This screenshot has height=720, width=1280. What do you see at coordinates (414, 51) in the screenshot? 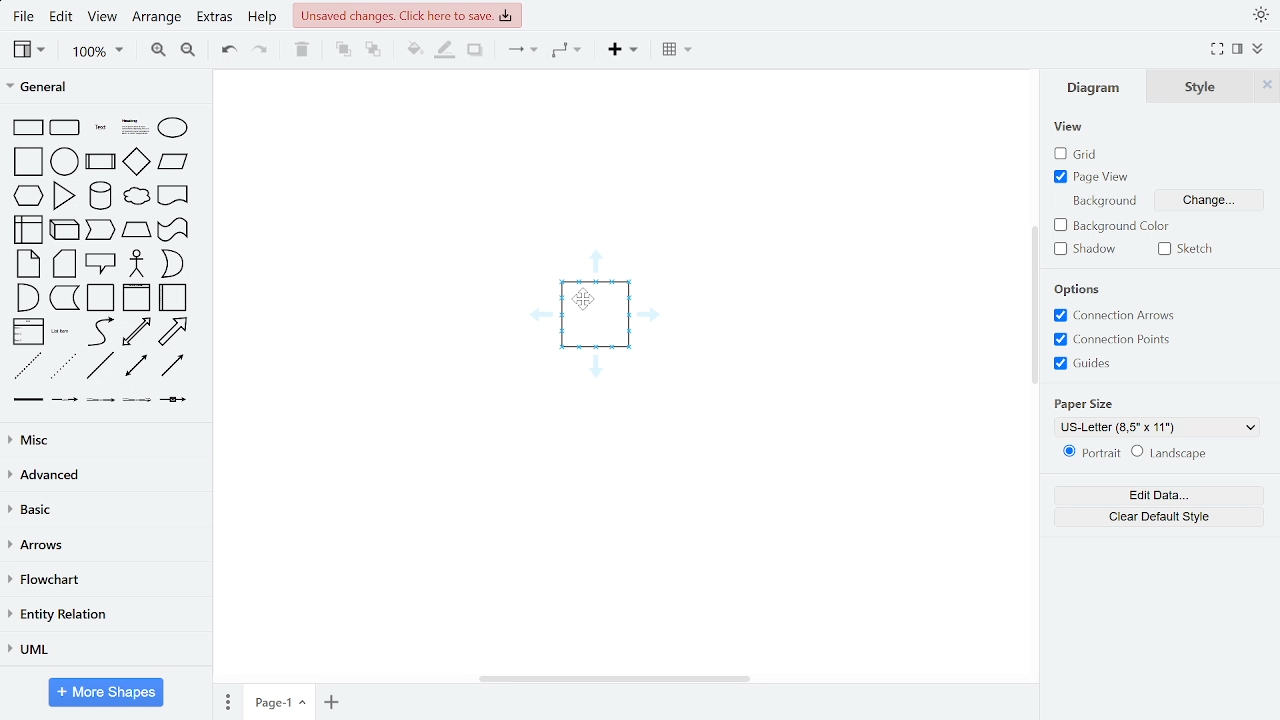
I see `fill color` at bounding box center [414, 51].